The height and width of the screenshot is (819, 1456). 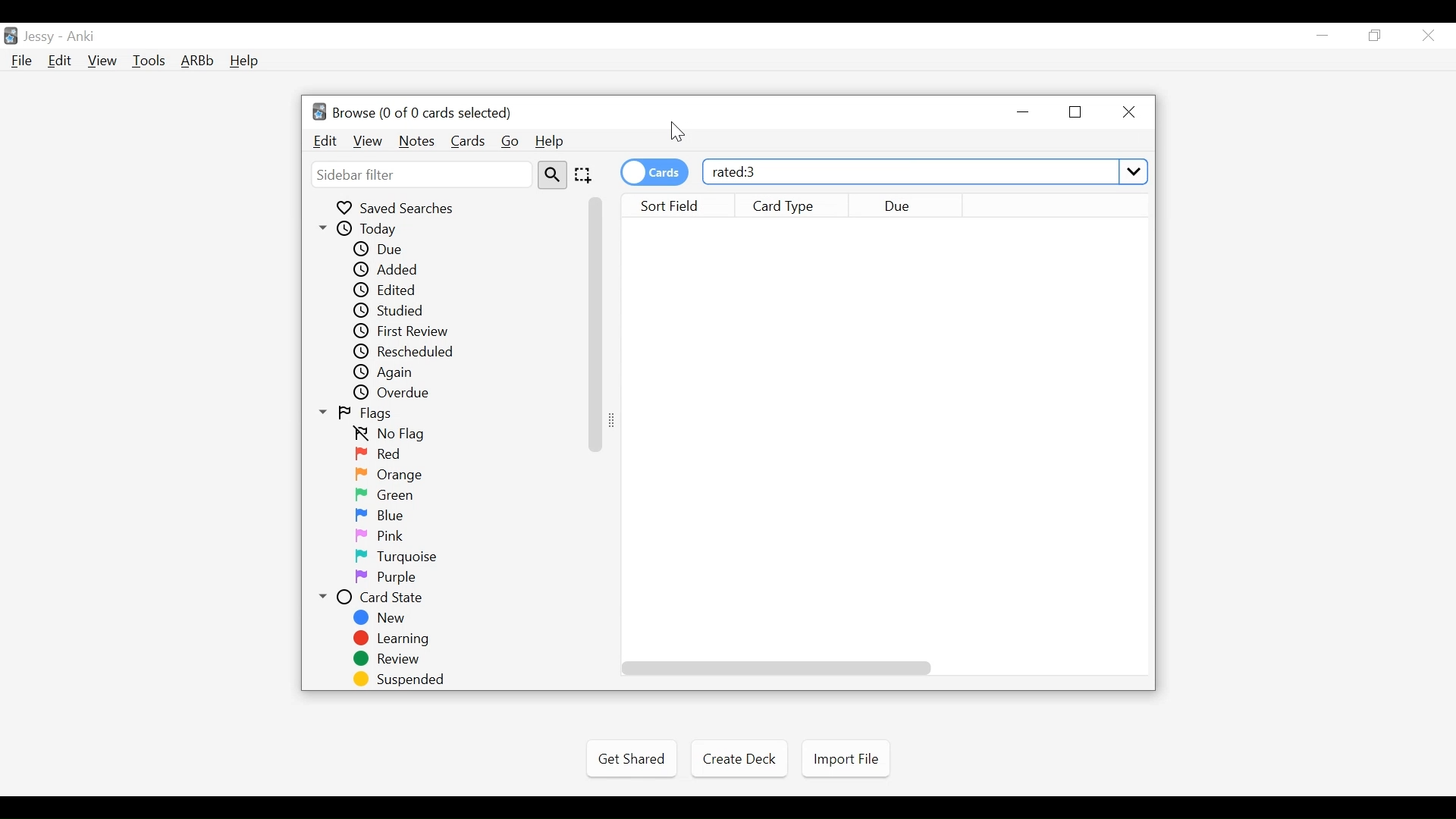 What do you see at coordinates (739, 758) in the screenshot?
I see `Create Deck` at bounding box center [739, 758].